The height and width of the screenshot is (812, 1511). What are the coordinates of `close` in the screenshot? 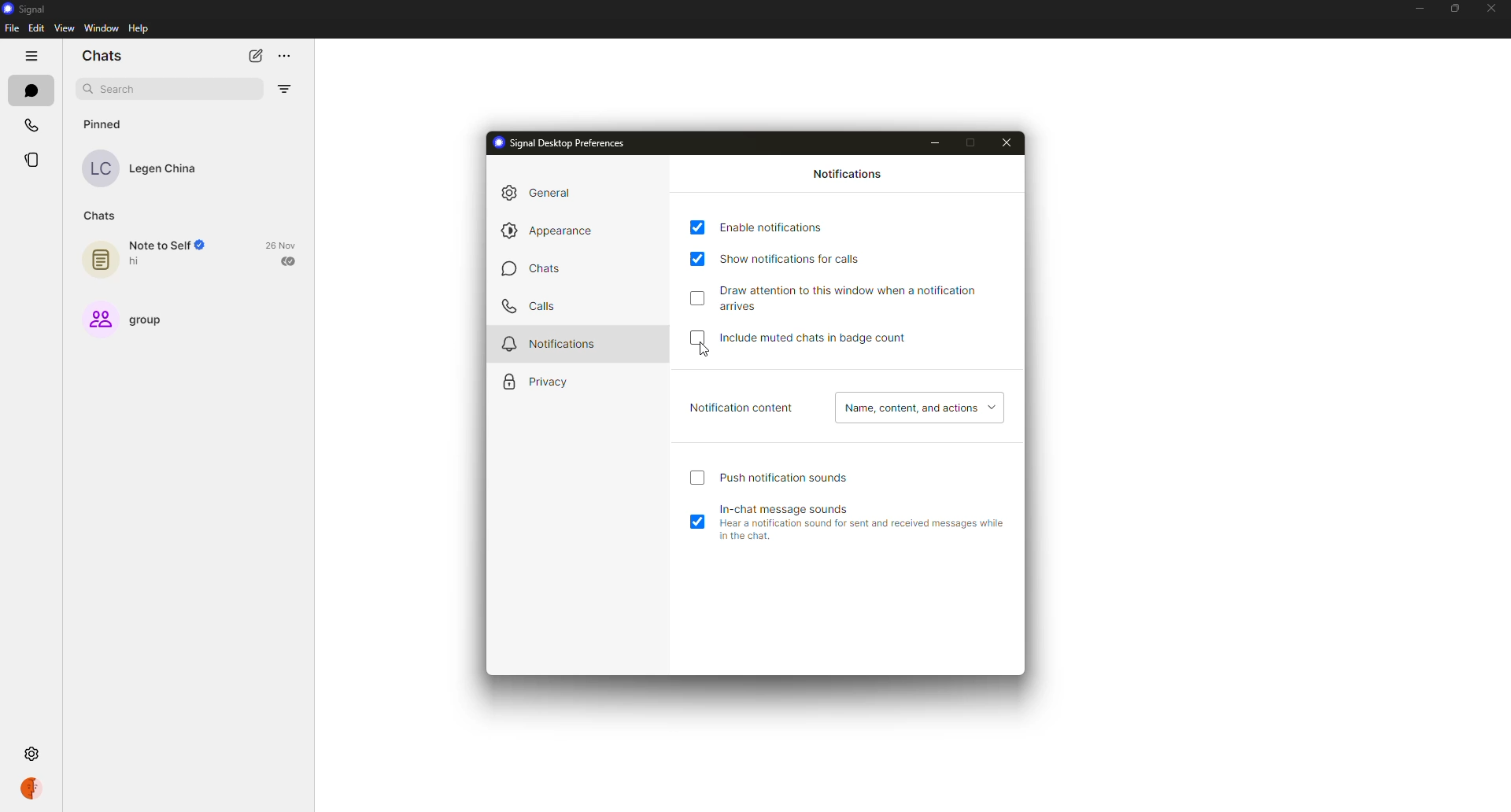 It's located at (1009, 141).